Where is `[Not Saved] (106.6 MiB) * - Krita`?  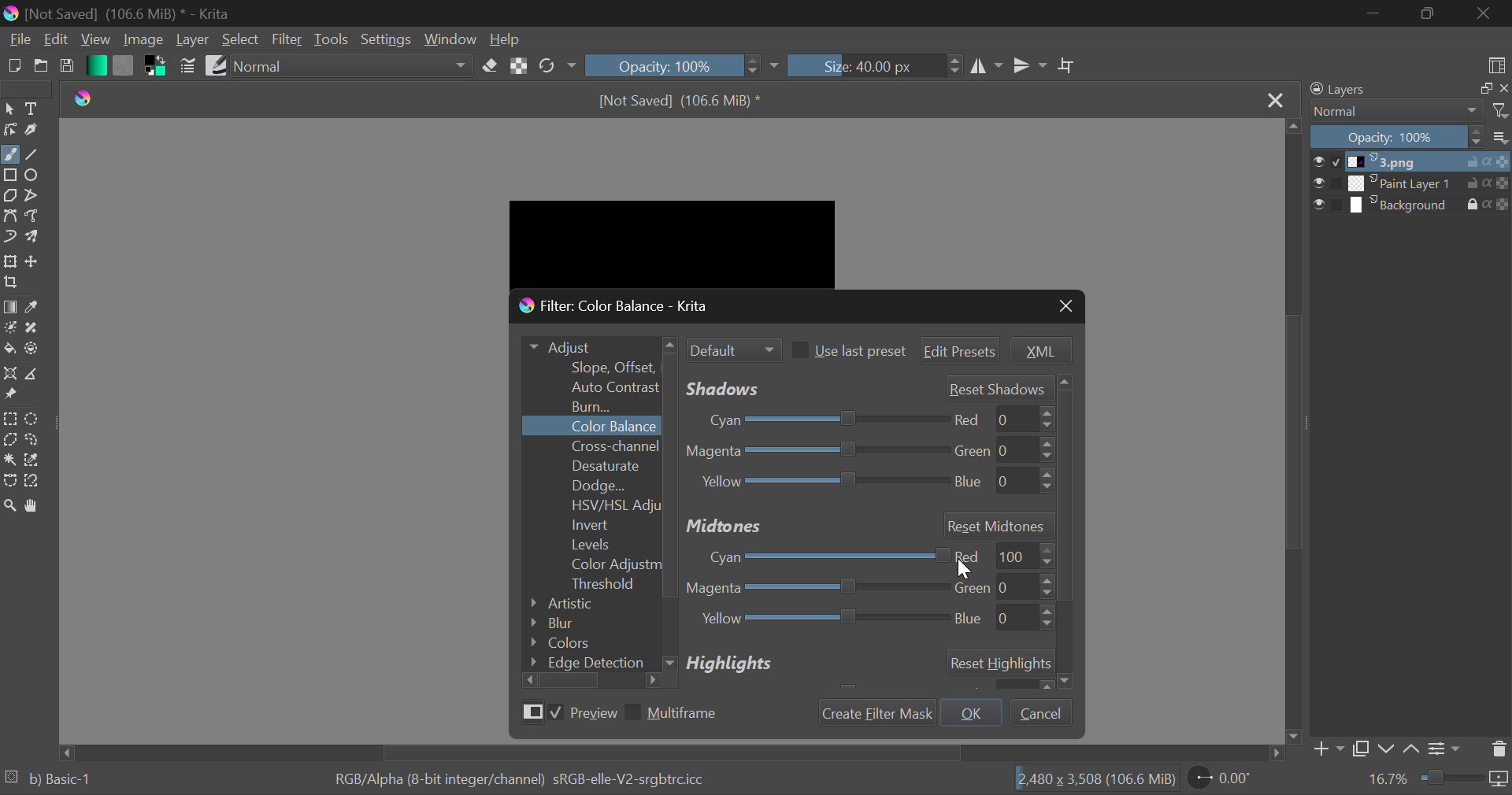 [Not Saved] (106.6 MiB) * - Krita is located at coordinates (143, 11).